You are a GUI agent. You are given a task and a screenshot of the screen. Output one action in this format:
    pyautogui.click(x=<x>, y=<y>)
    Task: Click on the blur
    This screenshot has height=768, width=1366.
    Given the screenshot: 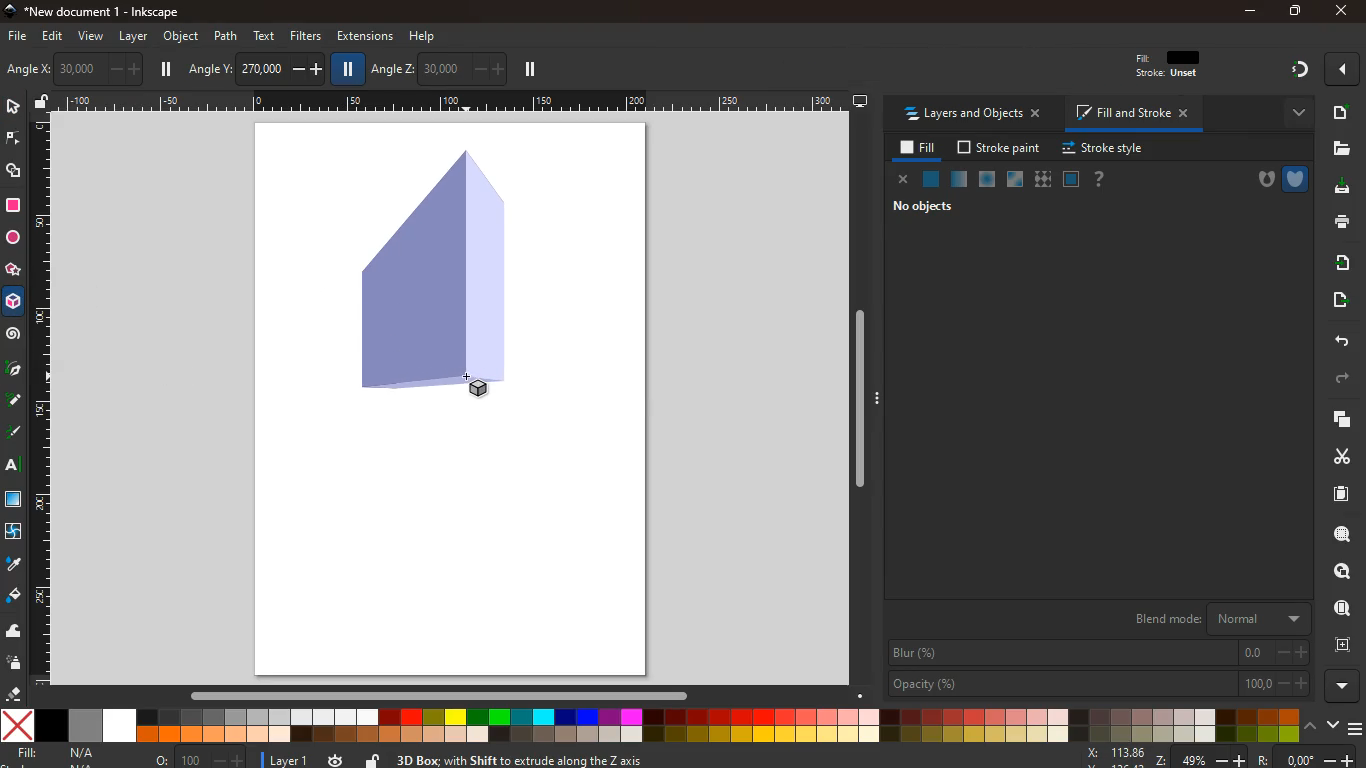 What is the action you would take?
    pyautogui.click(x=1098, y=653)
    